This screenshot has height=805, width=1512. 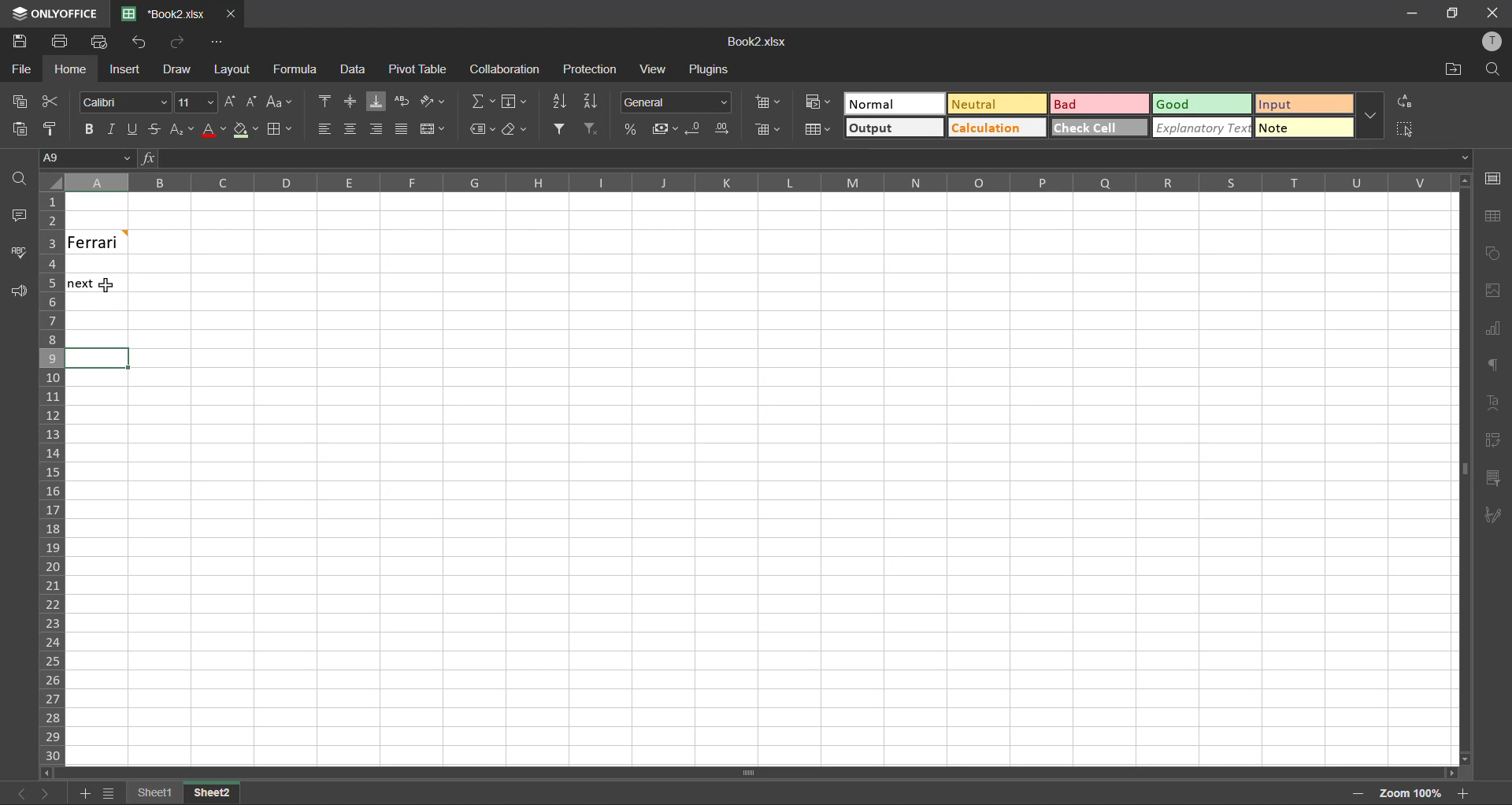 I want to click on good, so click(x=1198, y=104).